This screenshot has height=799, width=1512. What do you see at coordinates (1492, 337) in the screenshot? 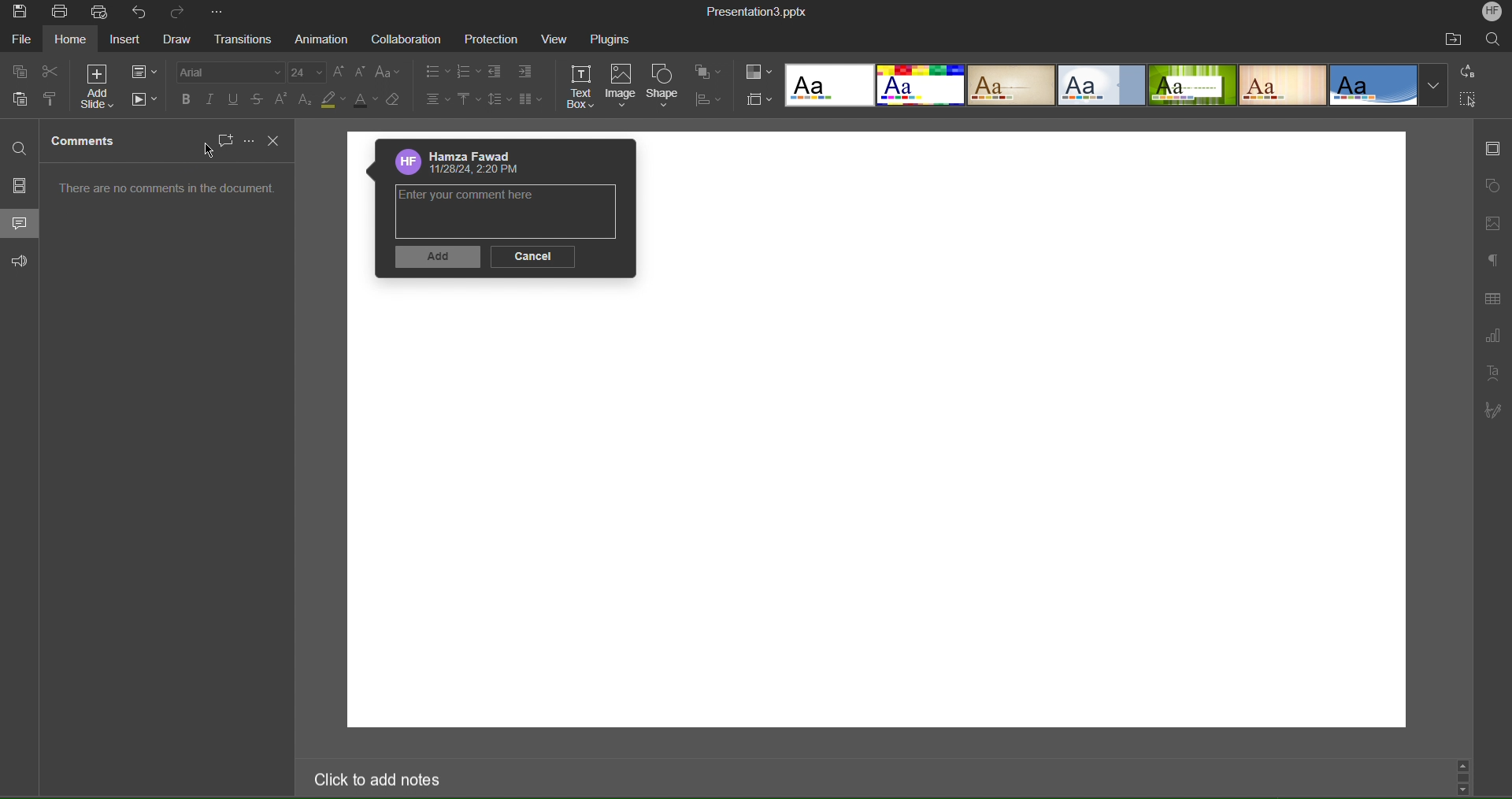
I see `Graph Settings` at bounding box center [1492, 337].